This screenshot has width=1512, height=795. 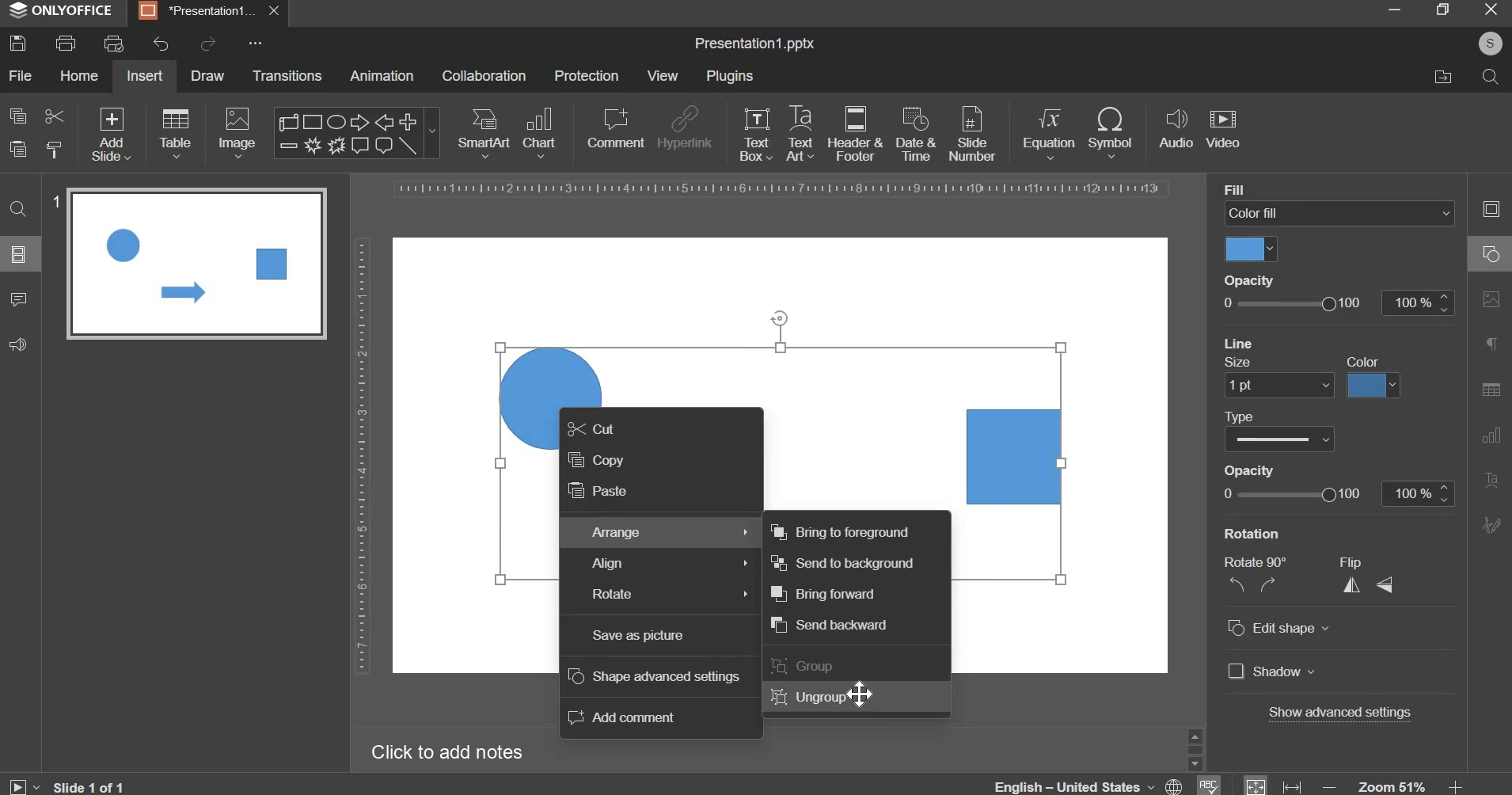 I want to click on shape advanced settings, so click(x=654, y=676).